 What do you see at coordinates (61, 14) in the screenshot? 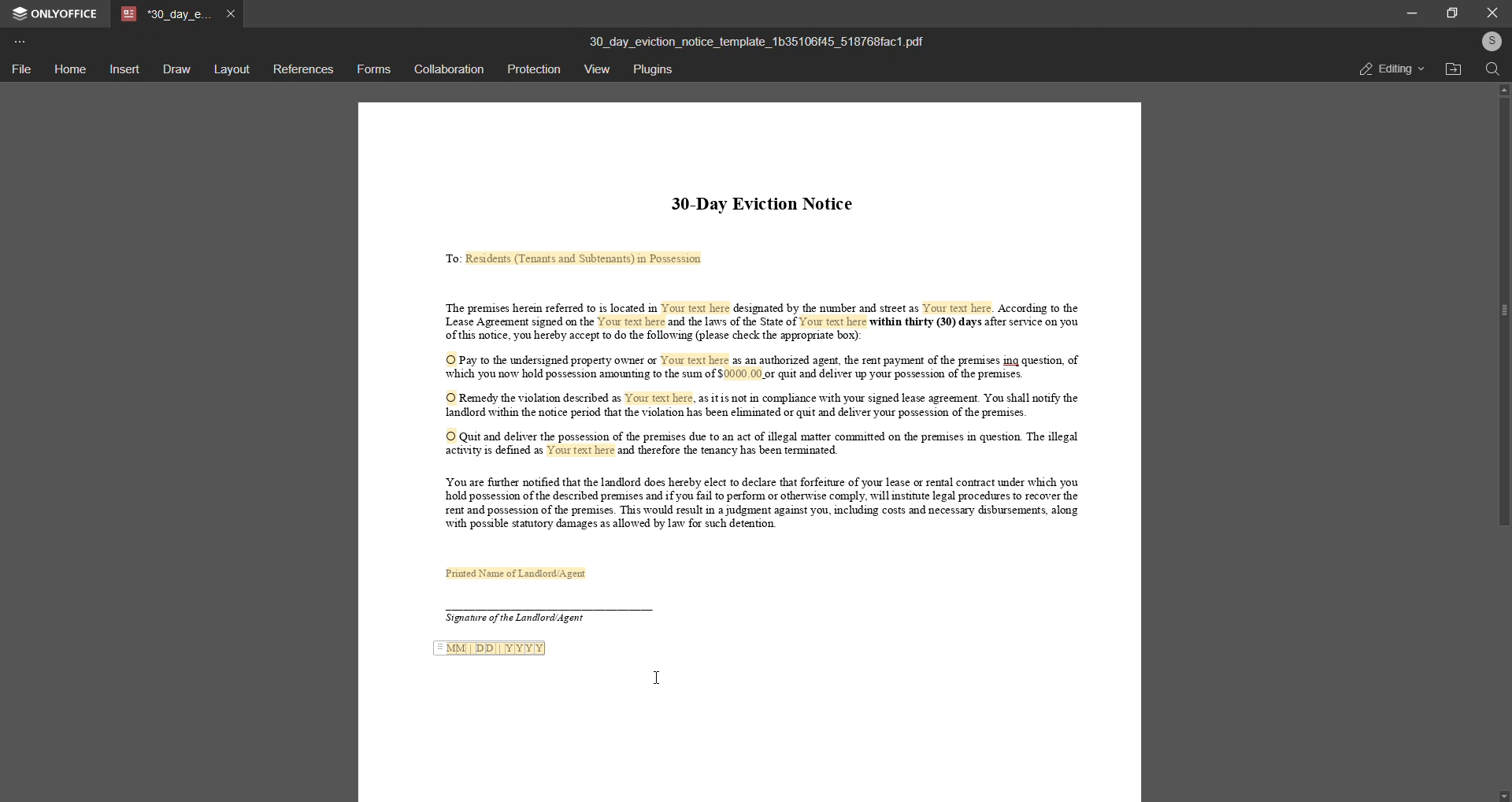
I see `Onlyoffice logo and name` at bounding box center [61, 14].